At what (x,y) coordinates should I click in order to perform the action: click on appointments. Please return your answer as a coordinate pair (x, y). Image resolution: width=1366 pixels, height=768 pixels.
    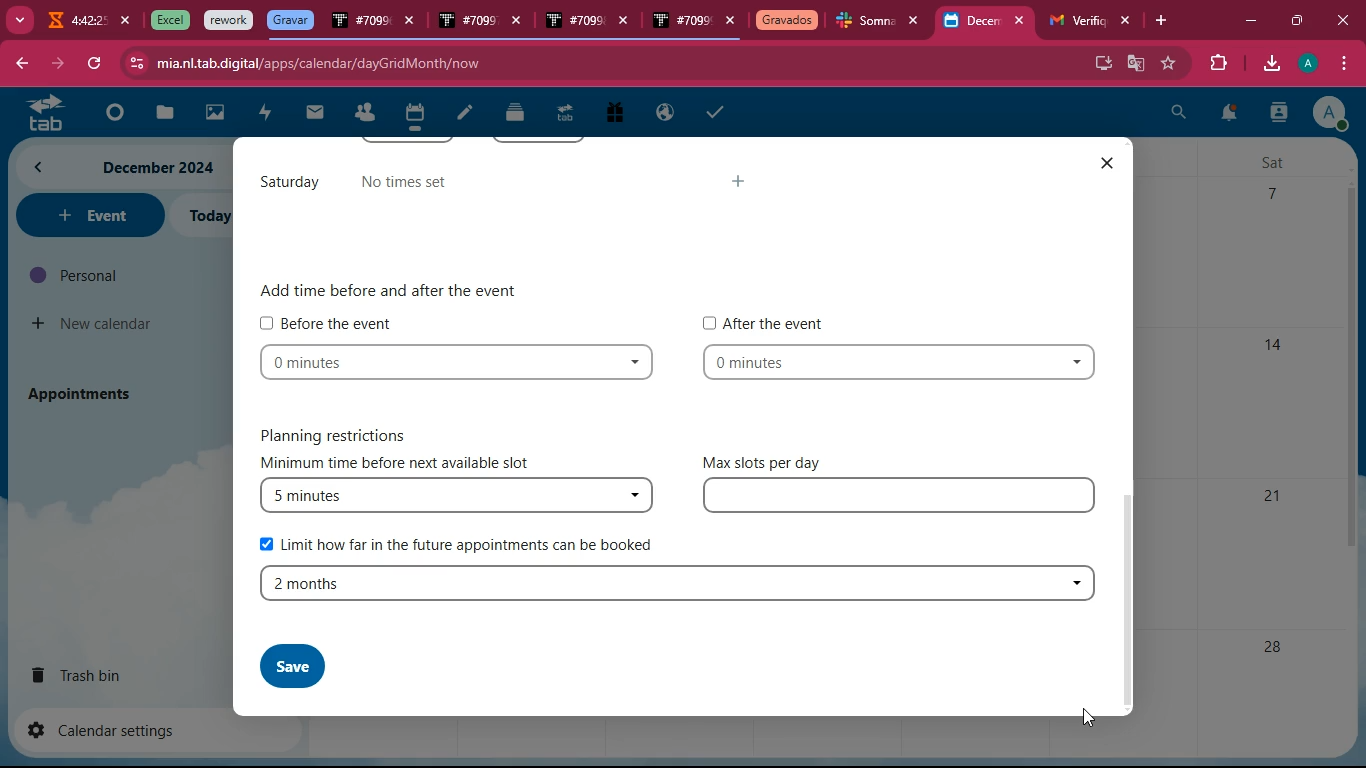
    Looking at the image, I should click on (86, 393).